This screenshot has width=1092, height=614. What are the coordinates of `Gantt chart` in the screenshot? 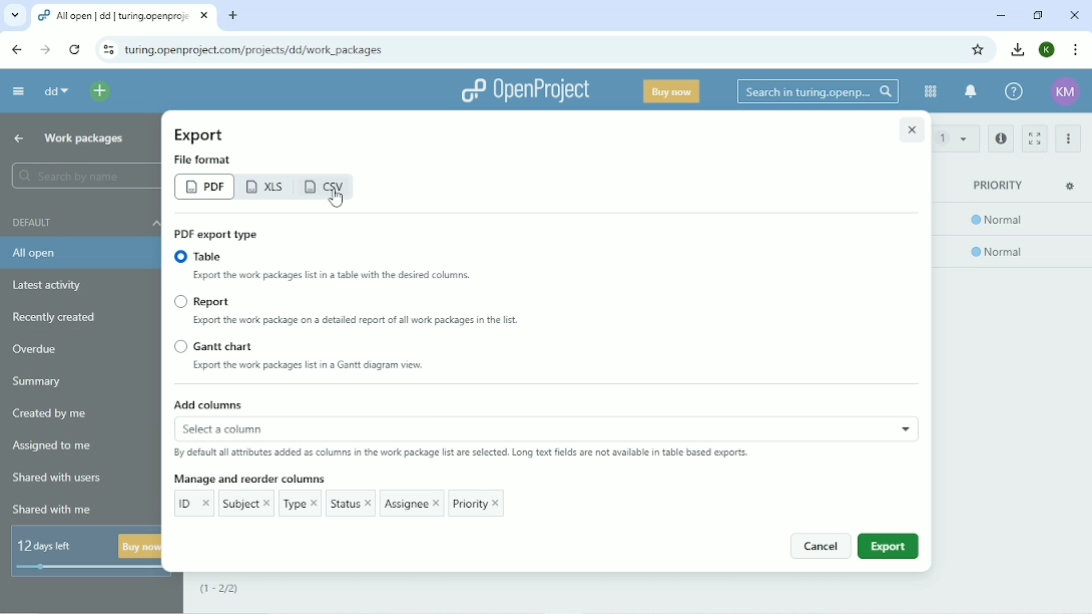 It's located at (214, 347).